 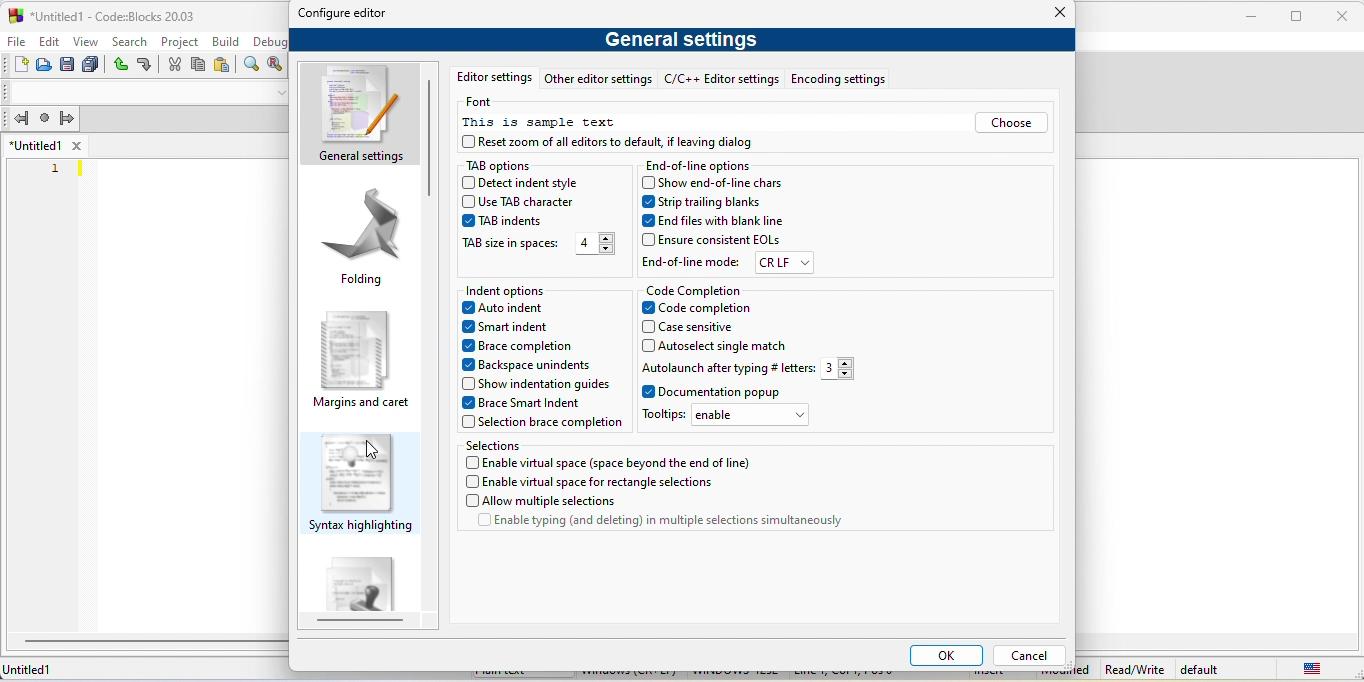 I want to click on paste, so click(x=223, y=65).